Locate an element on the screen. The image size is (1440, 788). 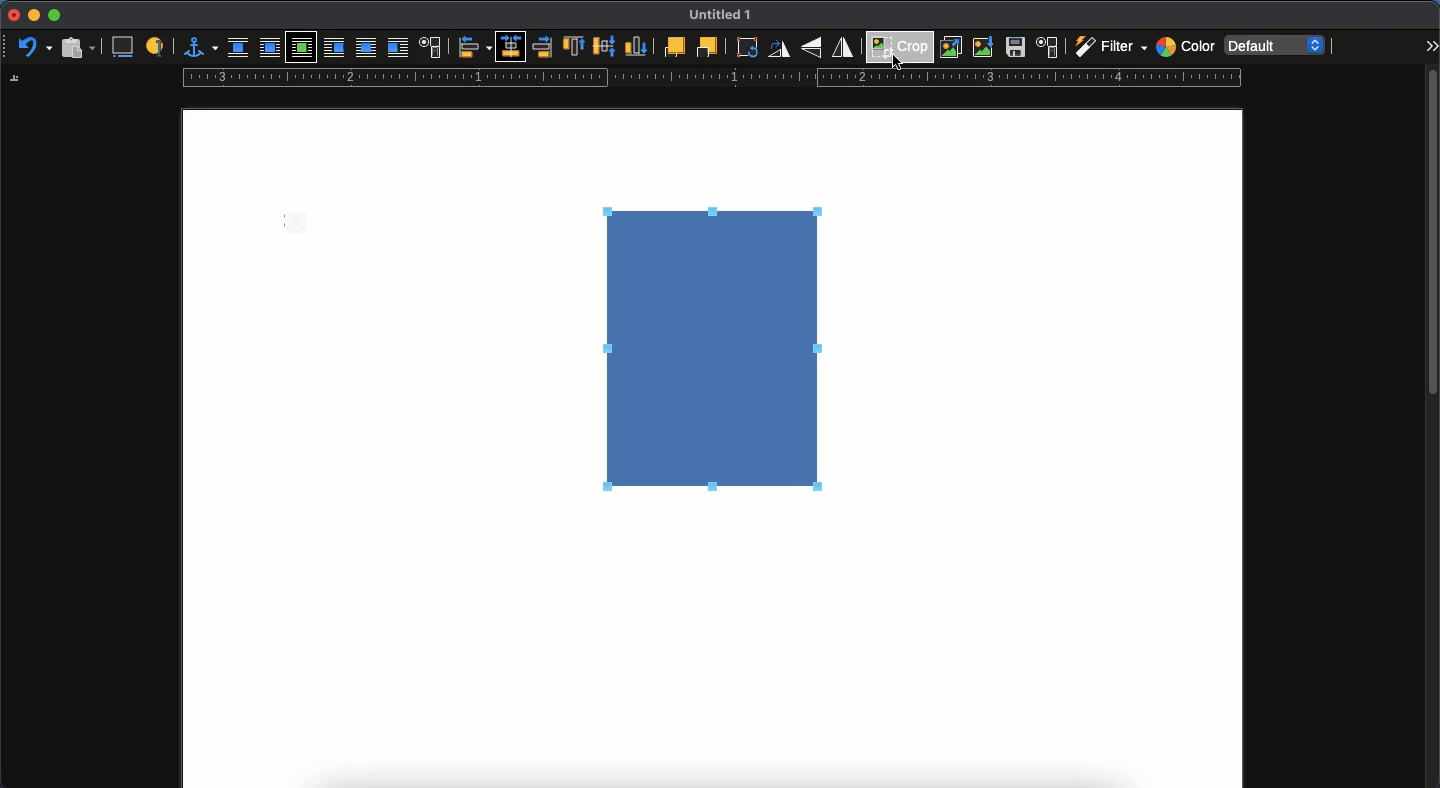
middle to anchor is located at coordinates (605, 46).